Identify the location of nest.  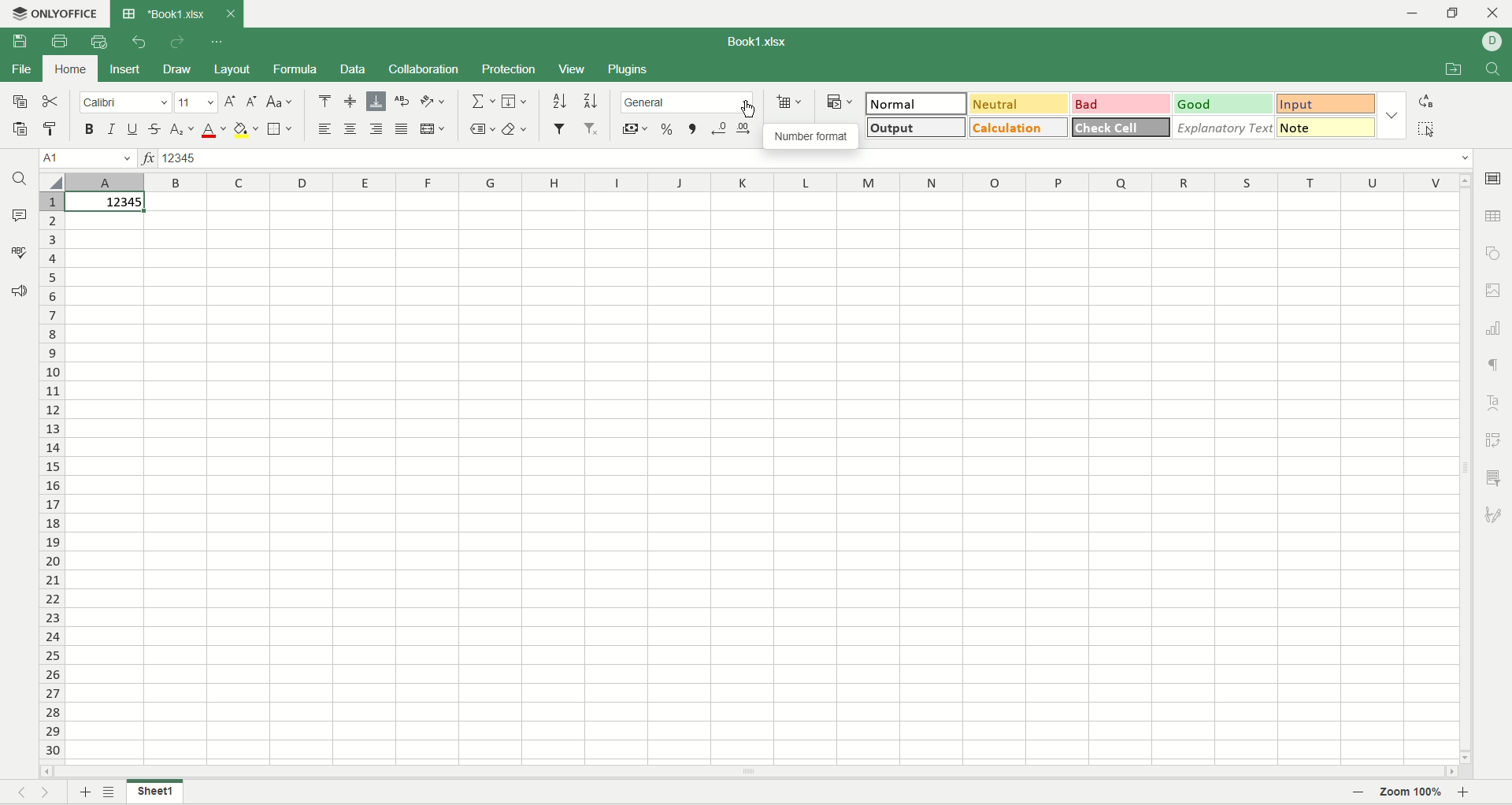
(50, 792).